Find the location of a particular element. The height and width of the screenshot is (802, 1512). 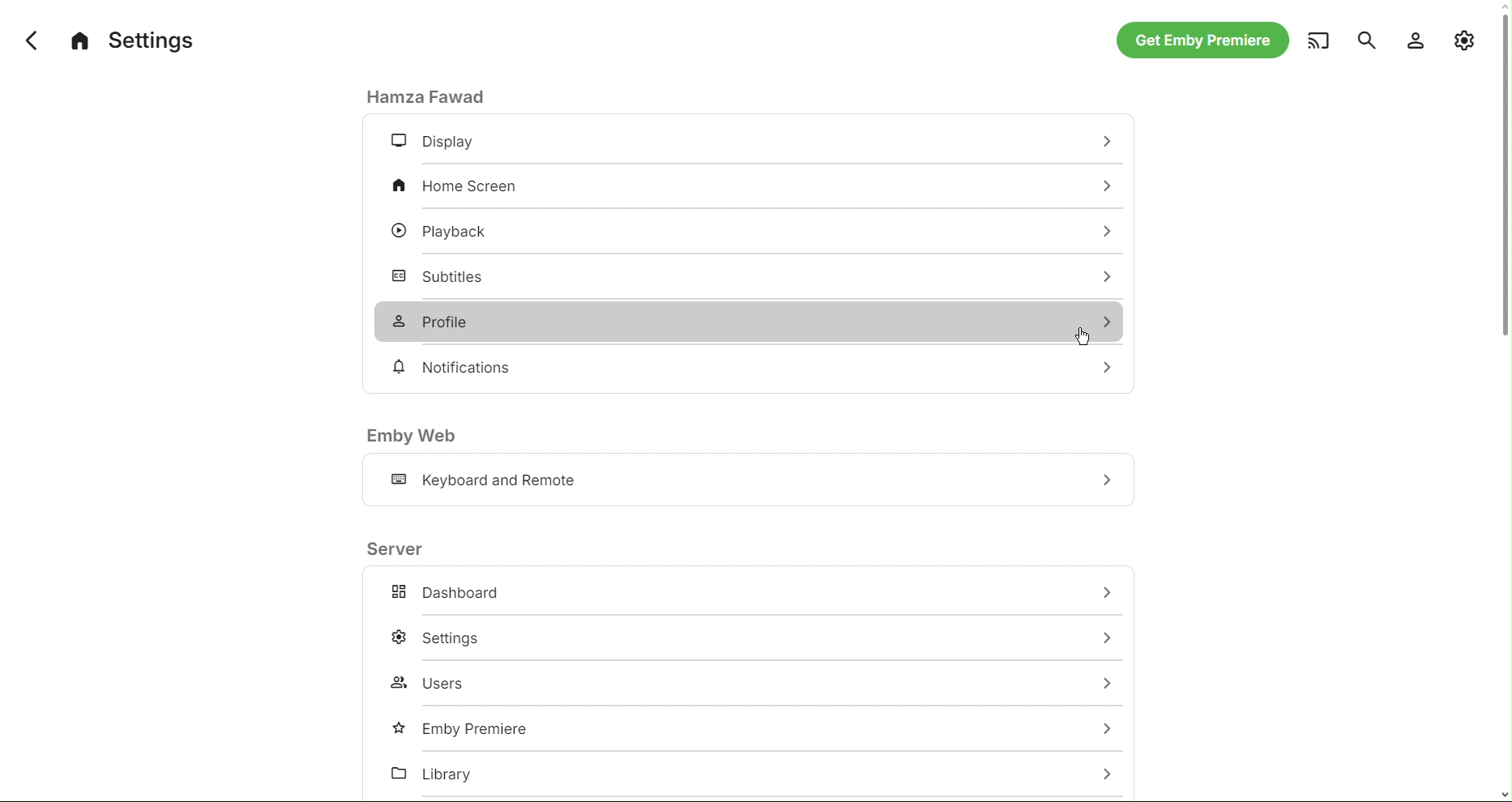

go is located at coordinates (1100, 186).